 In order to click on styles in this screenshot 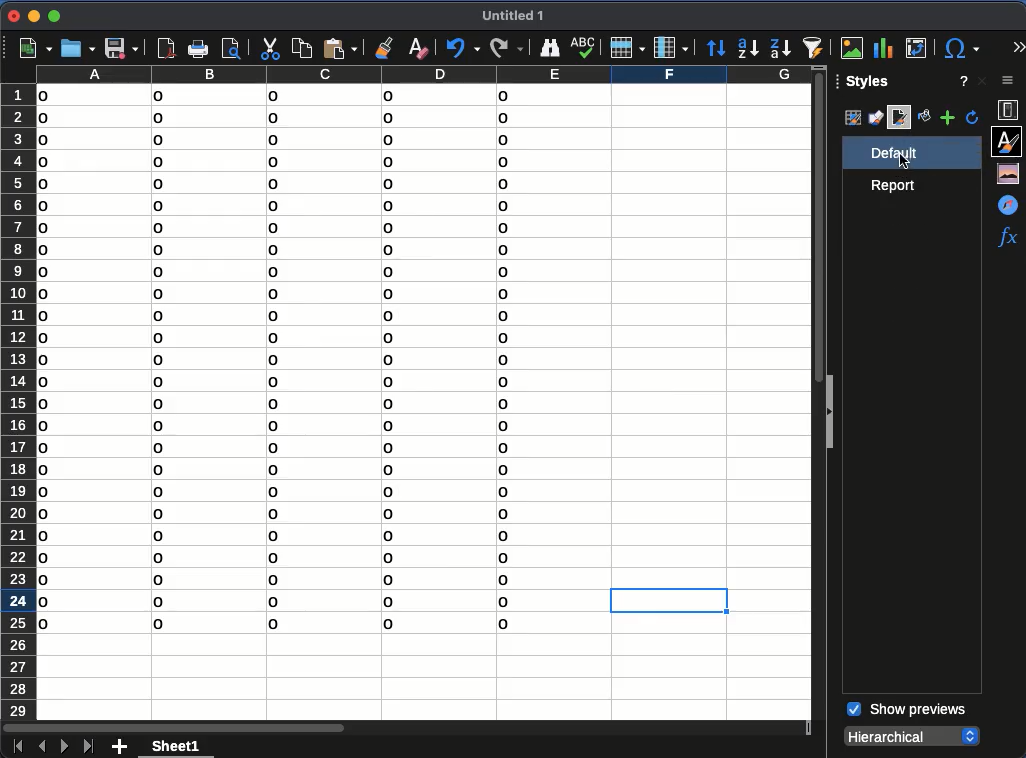, I will do `click(1009, 140)`.